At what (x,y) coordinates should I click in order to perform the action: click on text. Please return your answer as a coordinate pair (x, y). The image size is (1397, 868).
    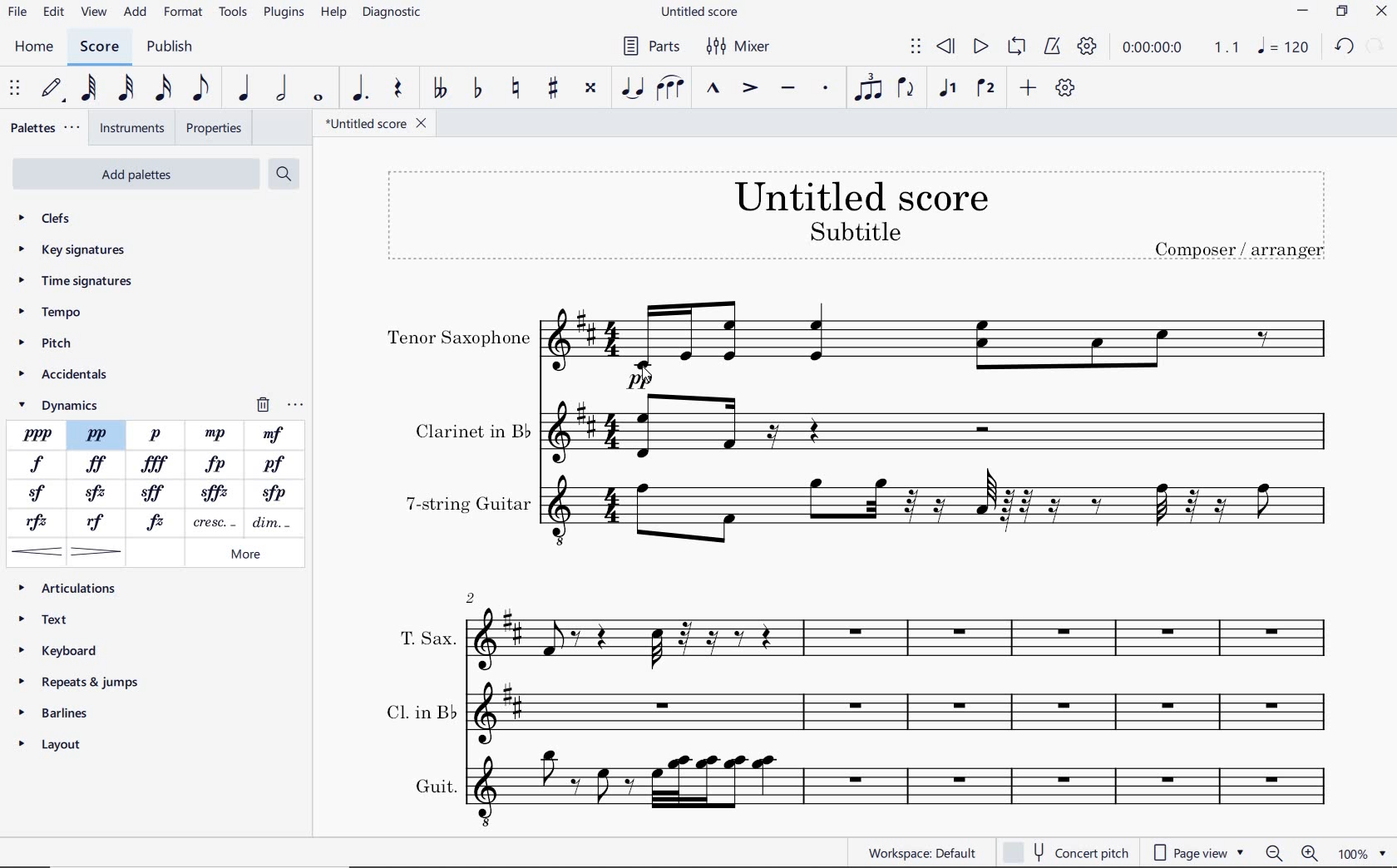
    Looking at the image, I should click on (854, 230).